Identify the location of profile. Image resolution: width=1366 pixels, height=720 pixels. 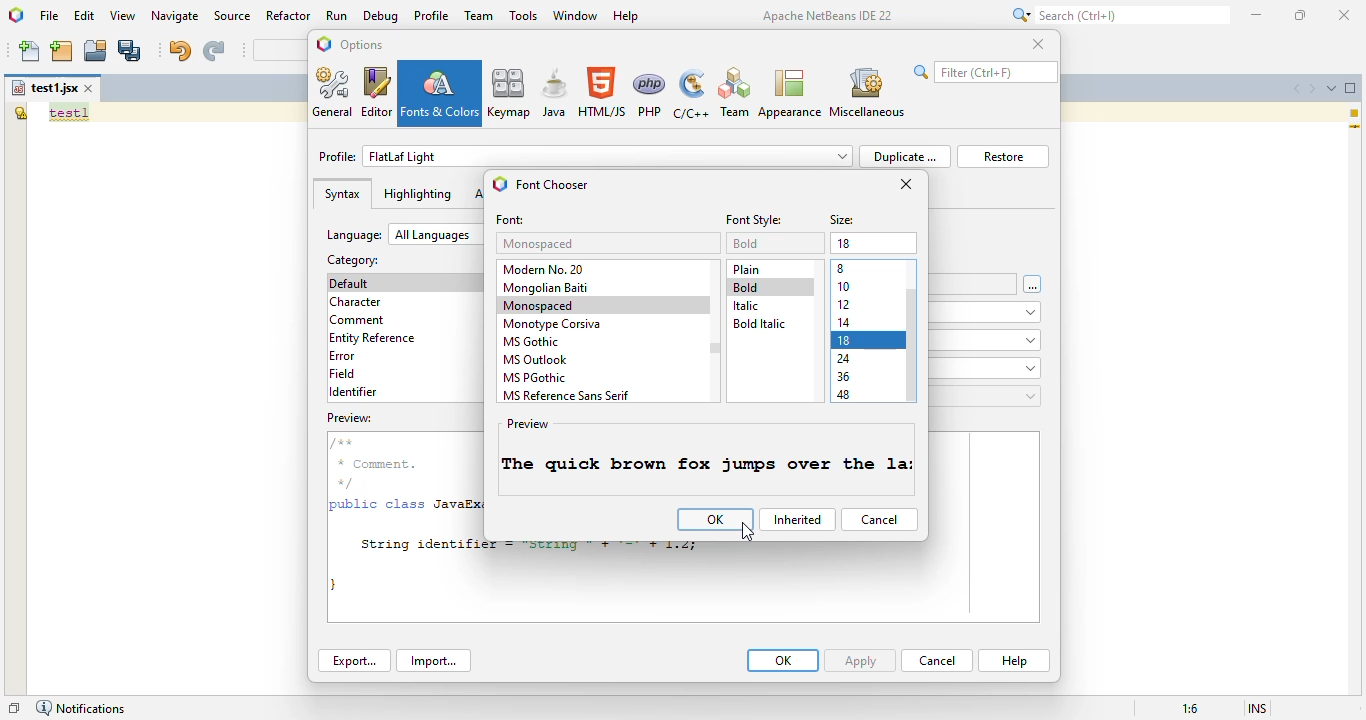
(432, 15).